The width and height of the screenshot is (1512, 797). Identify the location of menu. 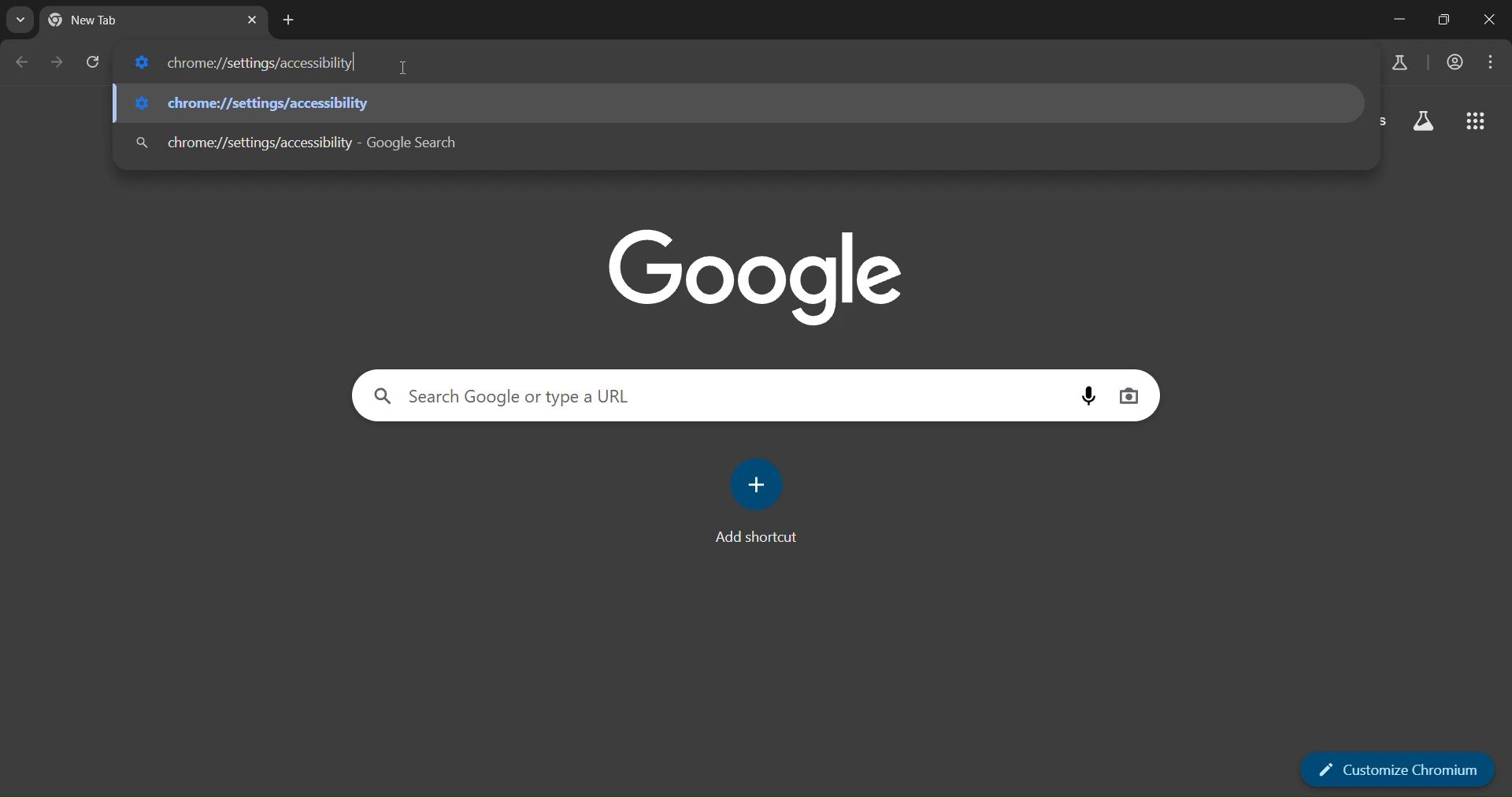
(1493, 60).